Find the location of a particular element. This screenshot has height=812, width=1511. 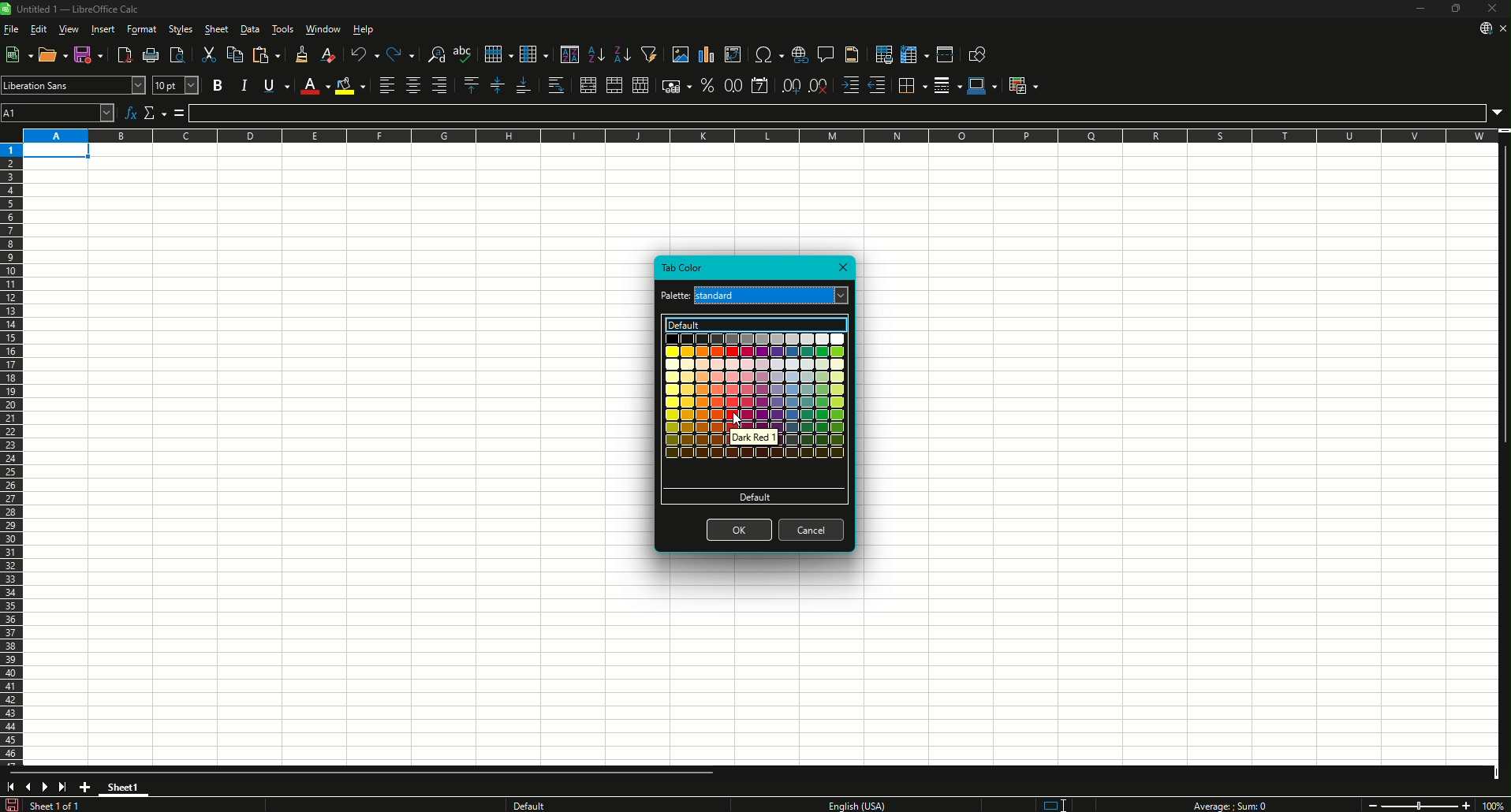

Zoom in is located at coordinates (1467, 806).